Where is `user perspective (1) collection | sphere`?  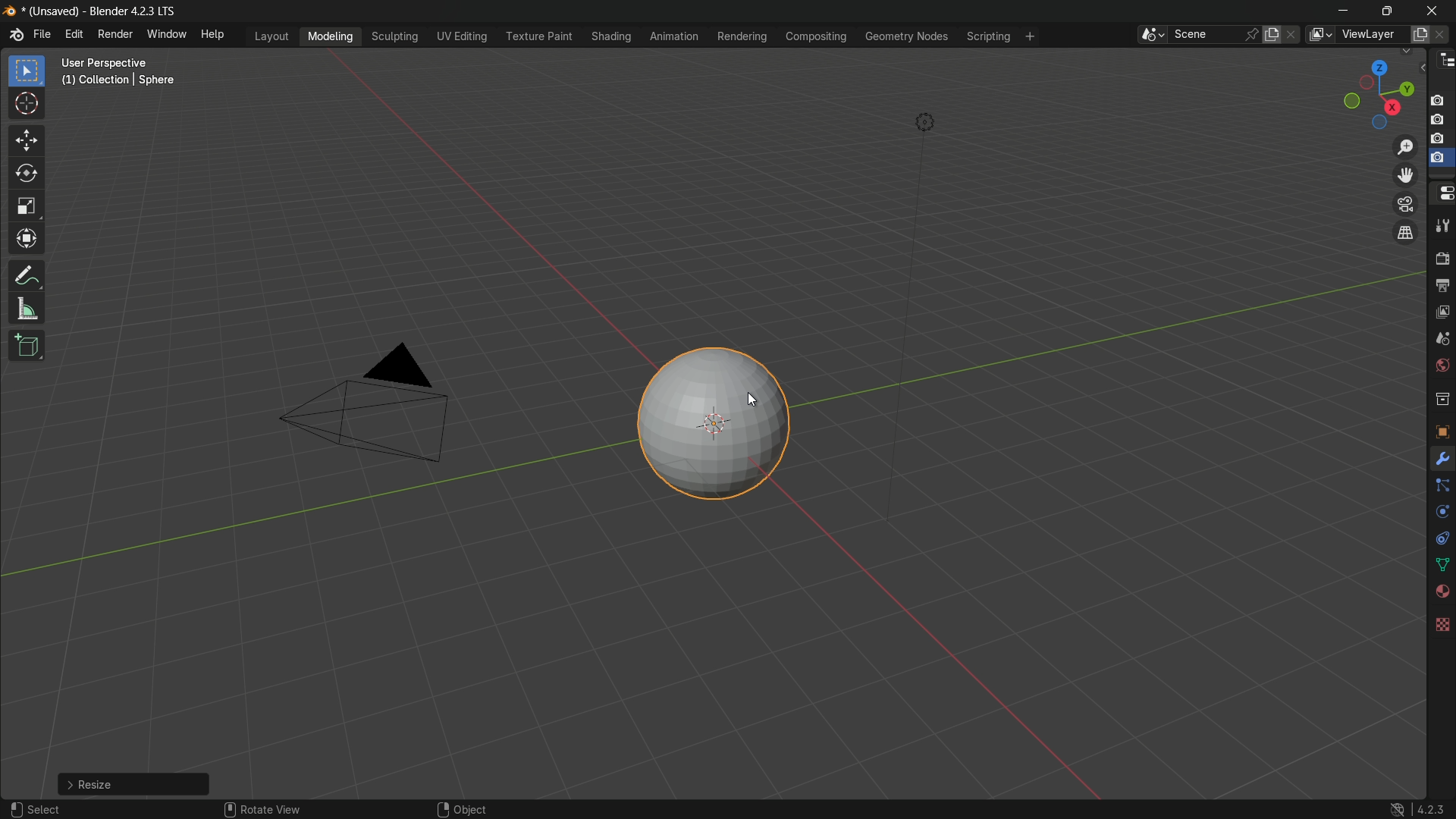 user perspective (1) collection | sphere is located at coordinates (121, 71).